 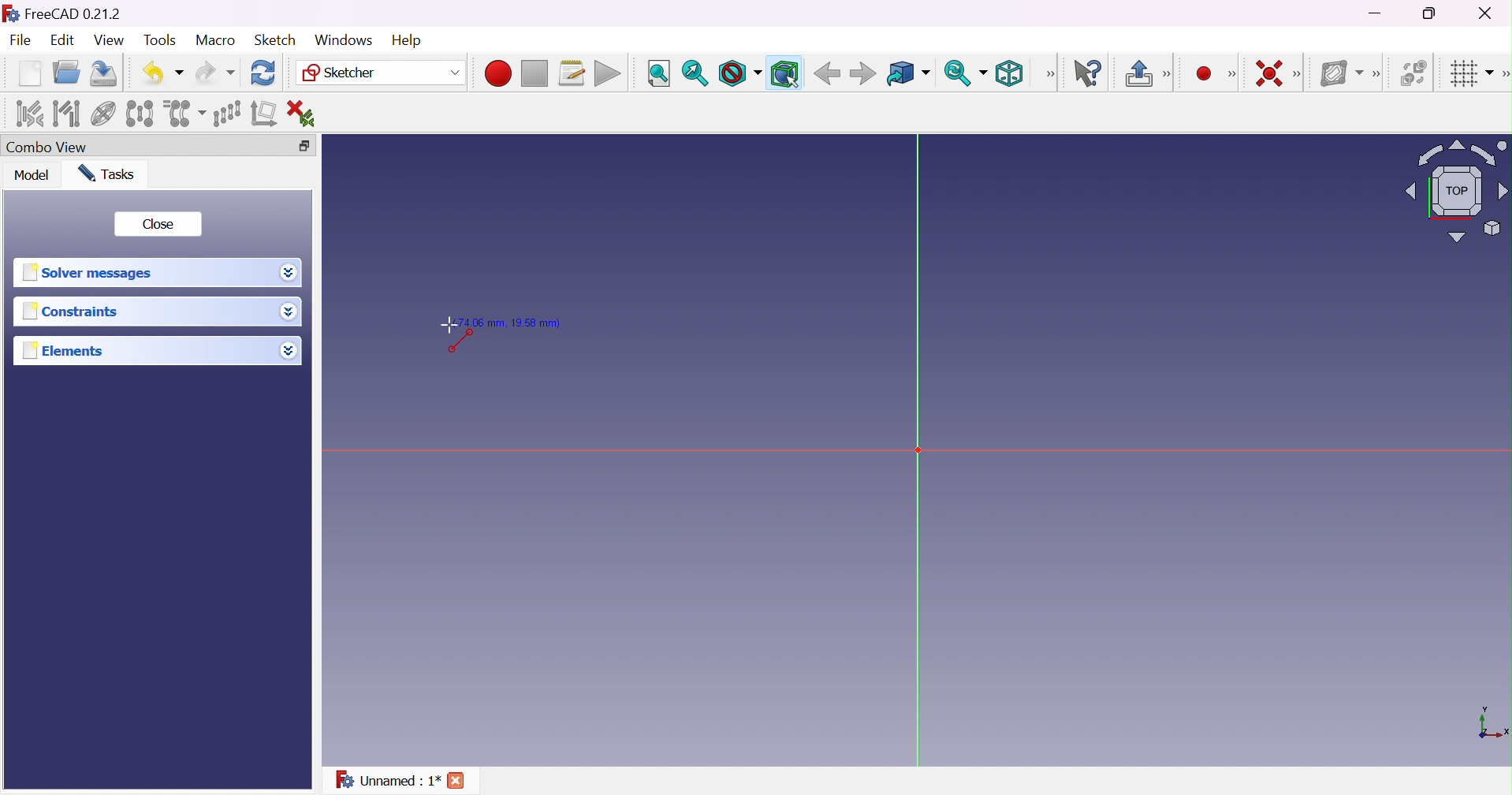 What do you see at coordinates (214, 73) in the screenshot?
I see `Redo` at bounding box center [214, 73].